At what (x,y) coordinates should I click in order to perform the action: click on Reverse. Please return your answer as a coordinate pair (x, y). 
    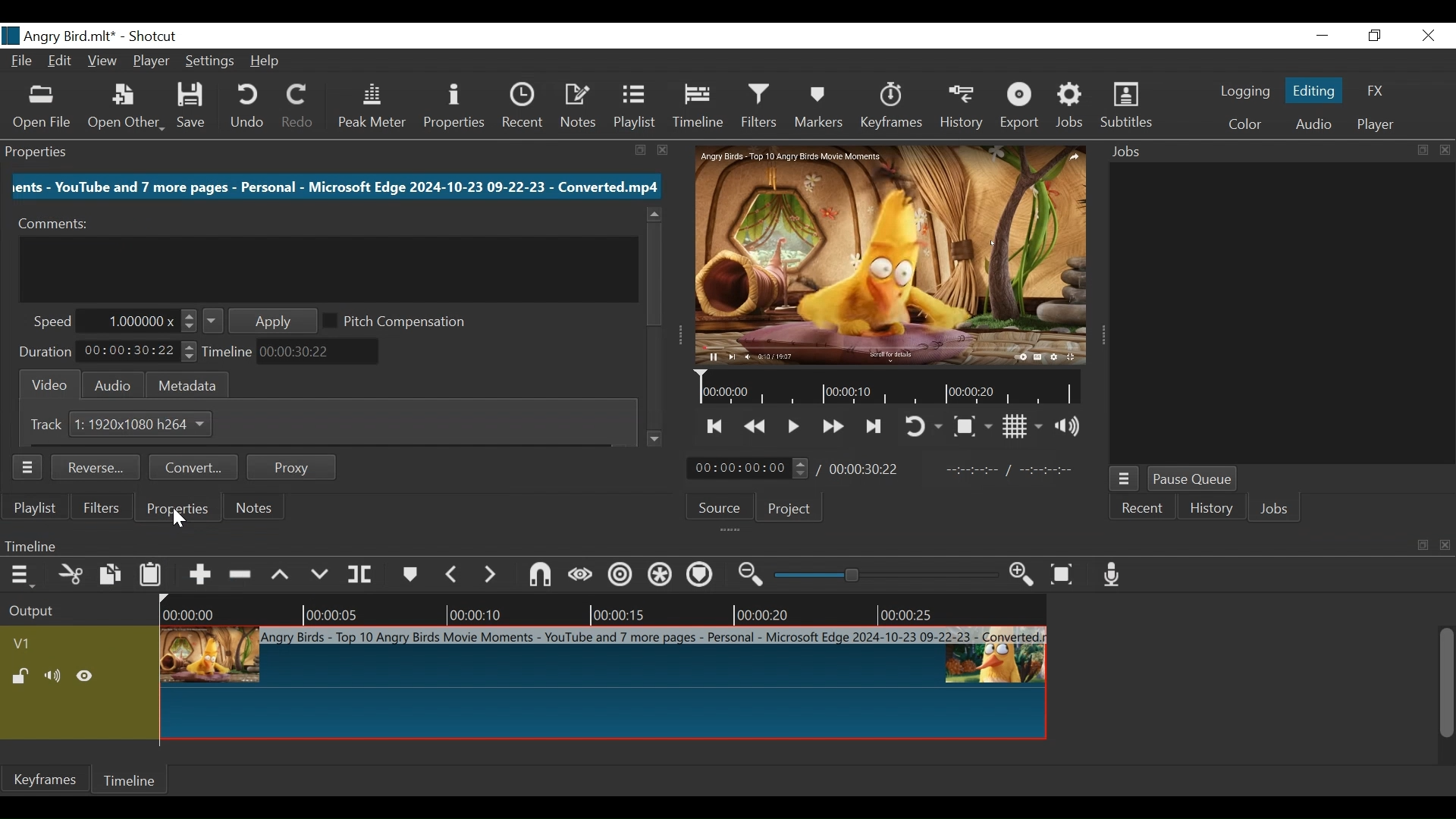
    Looking at the image, I should click on (95, 466).